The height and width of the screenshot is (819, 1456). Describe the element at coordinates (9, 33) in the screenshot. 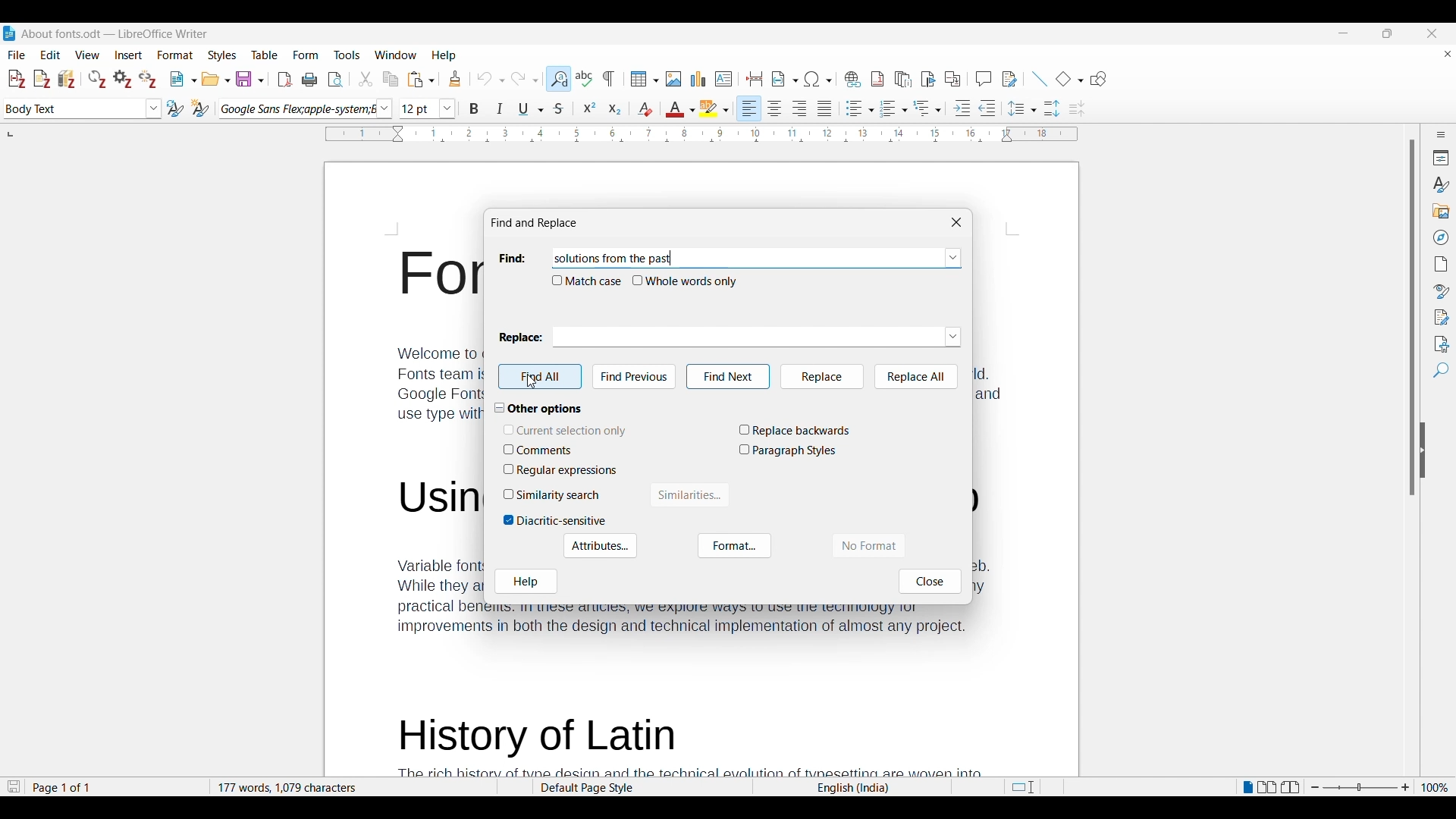

I see `Software logo` at that location.